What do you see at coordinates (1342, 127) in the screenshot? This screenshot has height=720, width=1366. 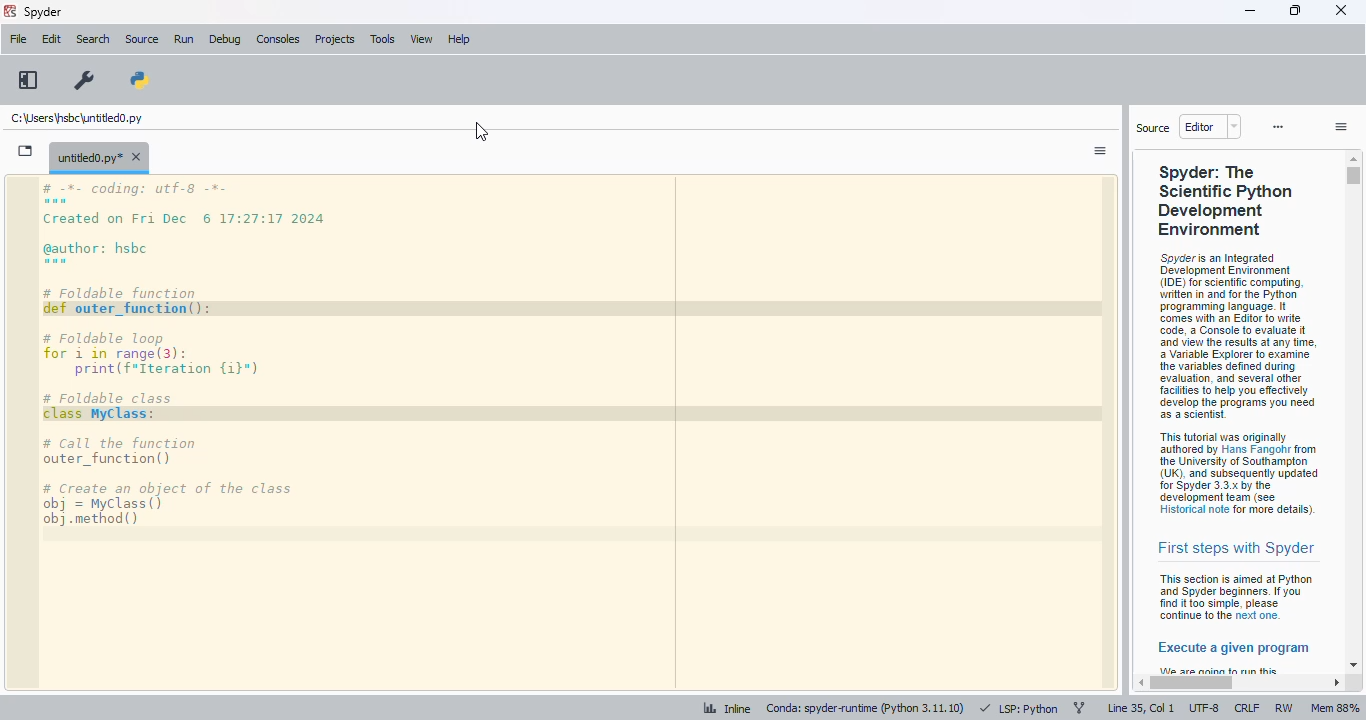 I see `options` at bounding box center [1342, 127].